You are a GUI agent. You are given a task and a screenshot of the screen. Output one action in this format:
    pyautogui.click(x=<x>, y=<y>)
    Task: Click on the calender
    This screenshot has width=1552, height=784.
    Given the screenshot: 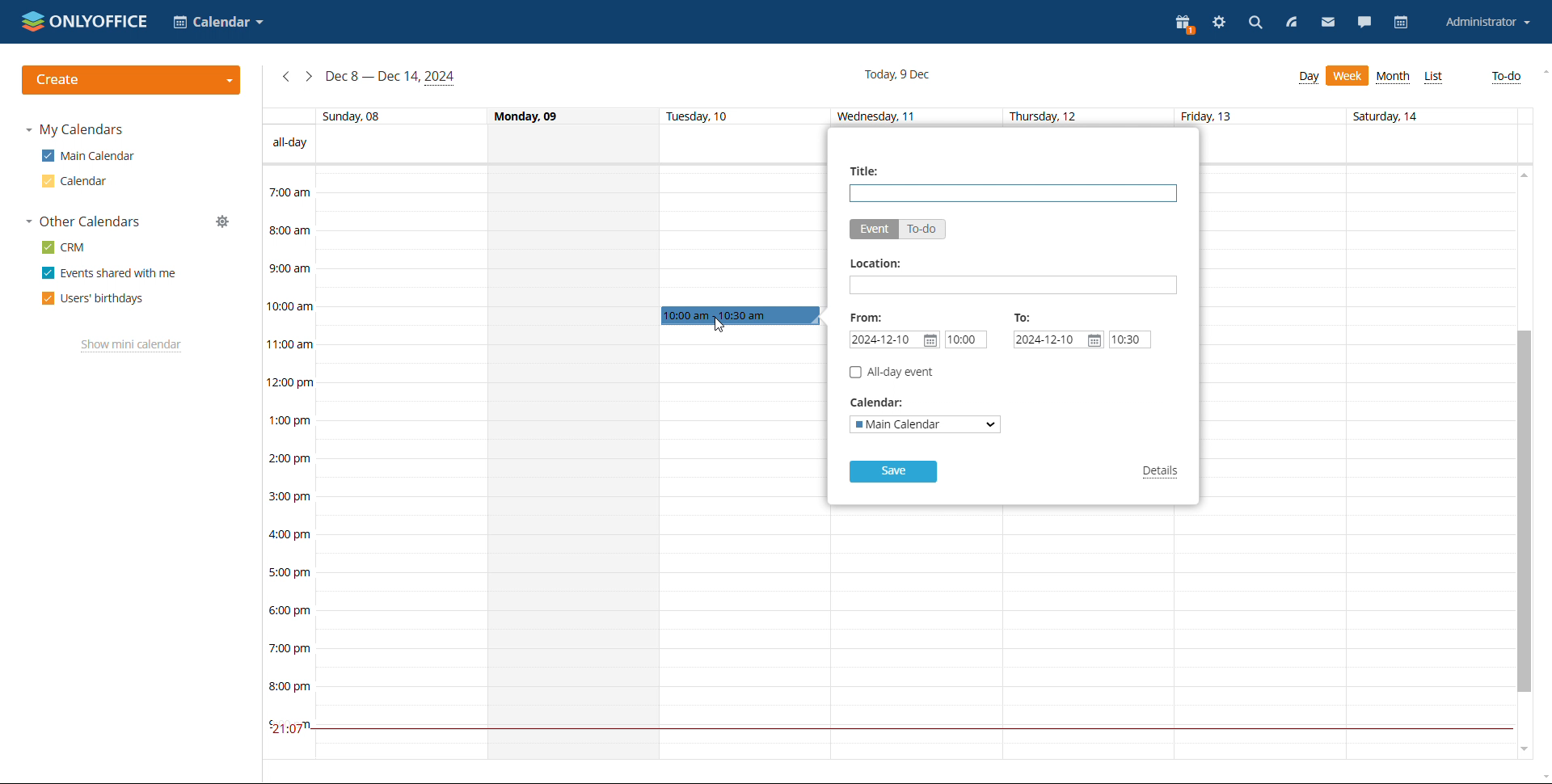 What is the action you would take?
    pyautogui.click(x=218, y=23)
    